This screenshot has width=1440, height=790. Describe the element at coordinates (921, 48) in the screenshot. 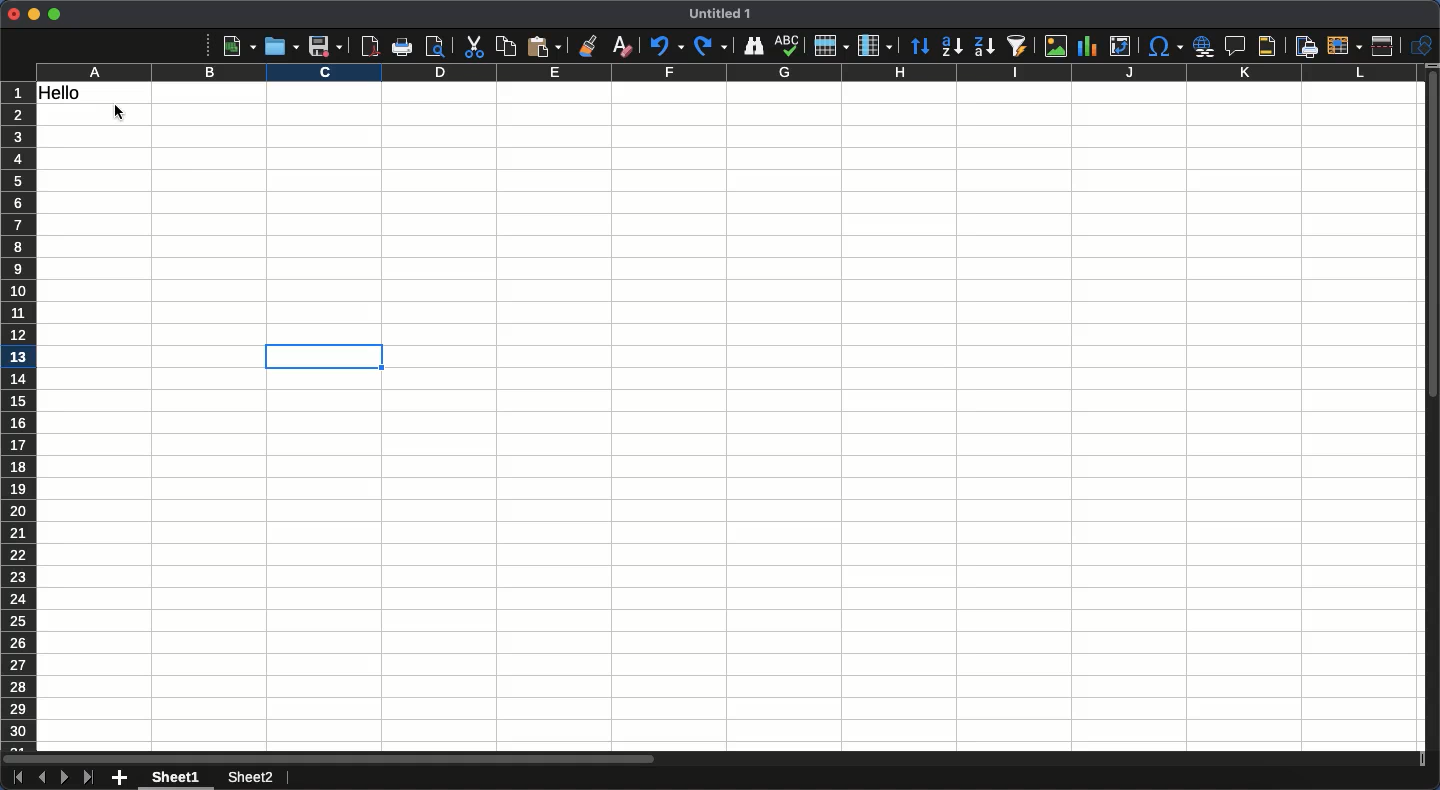

I see `Sort` at that location.